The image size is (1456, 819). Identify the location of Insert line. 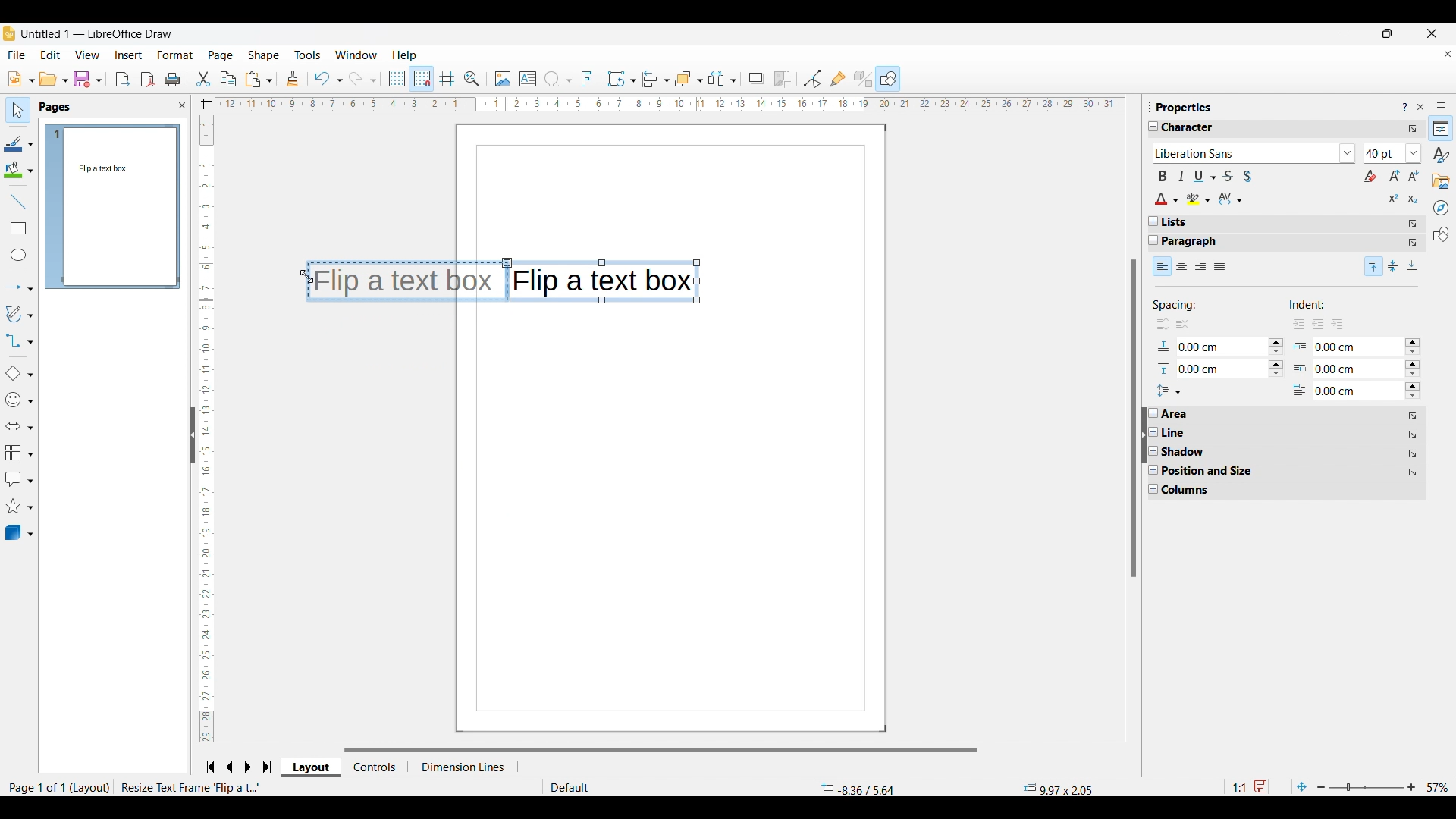
(18, 202).